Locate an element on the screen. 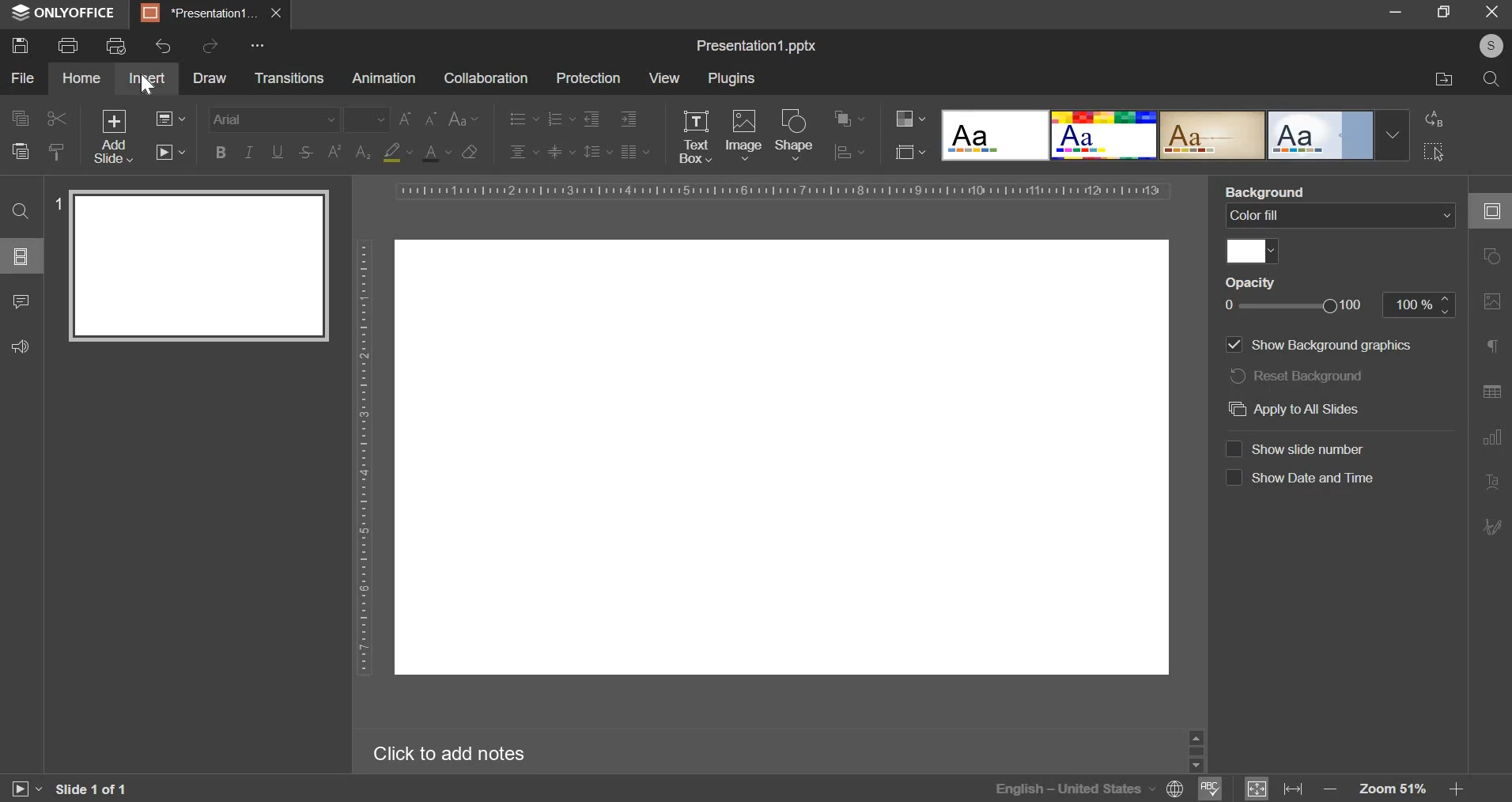 The height and width of the screenshot is (802, 1512). transitions is located at coordinates (289, 78).